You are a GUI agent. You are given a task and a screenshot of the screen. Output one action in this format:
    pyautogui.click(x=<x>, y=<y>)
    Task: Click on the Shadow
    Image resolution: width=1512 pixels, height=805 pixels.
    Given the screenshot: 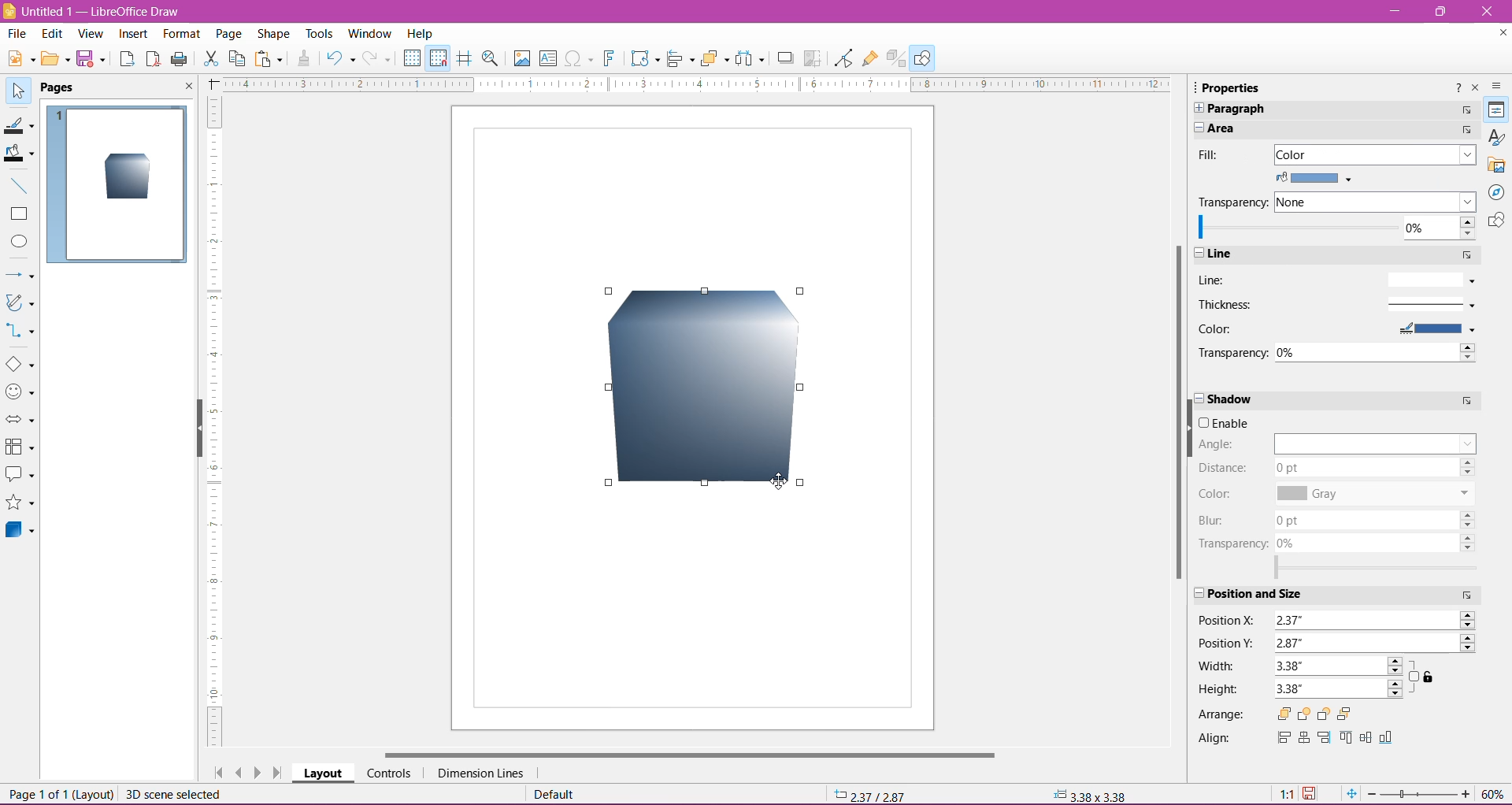 What is the action you would take?
    pyautogui.click(x=785, y=59)
    